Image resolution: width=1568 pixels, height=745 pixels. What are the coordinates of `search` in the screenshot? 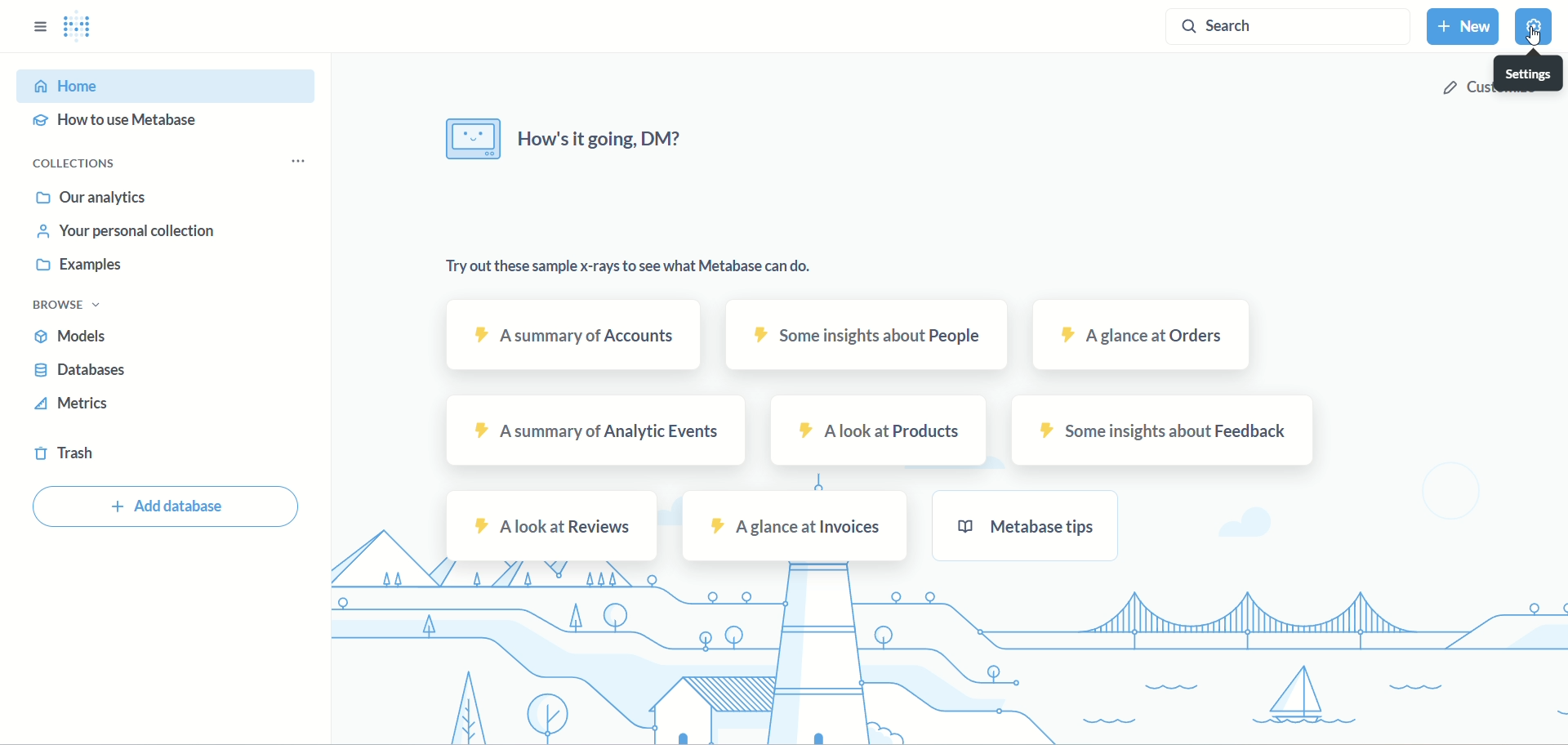 It's located at (1288, 27).